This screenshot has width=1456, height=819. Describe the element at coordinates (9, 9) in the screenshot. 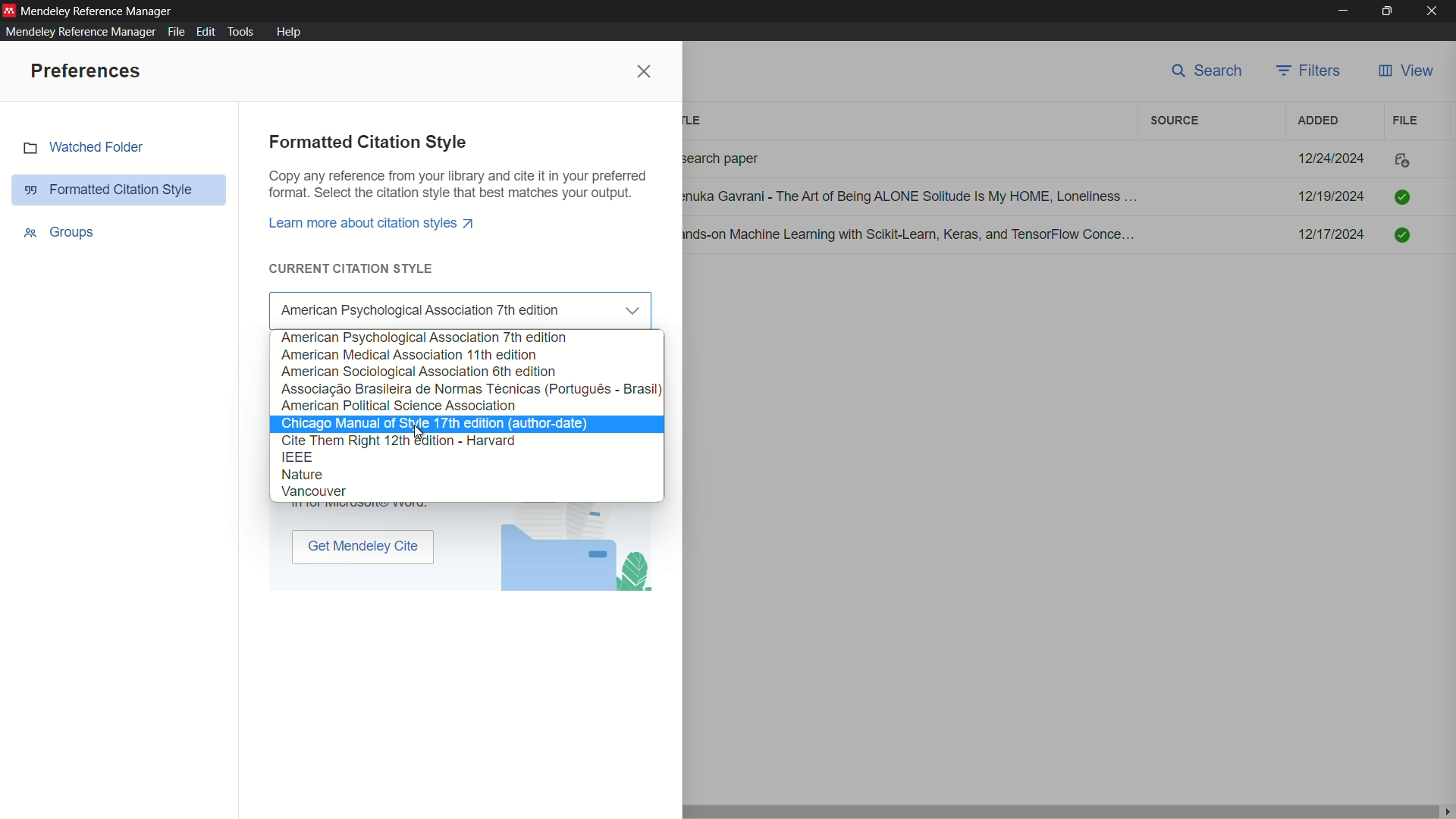

I see `app icon` at that location.